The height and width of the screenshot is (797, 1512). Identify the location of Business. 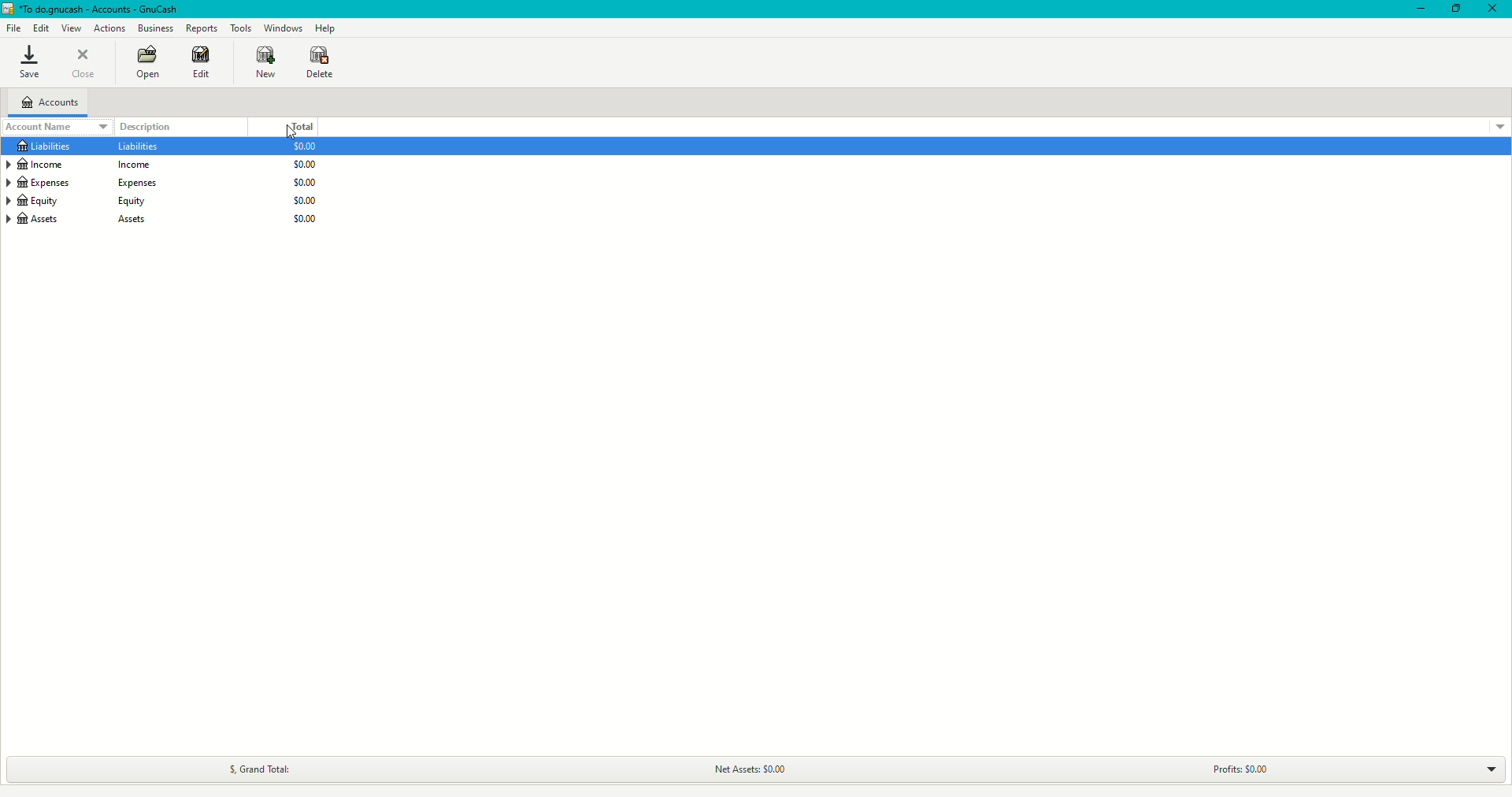
(158, 30).